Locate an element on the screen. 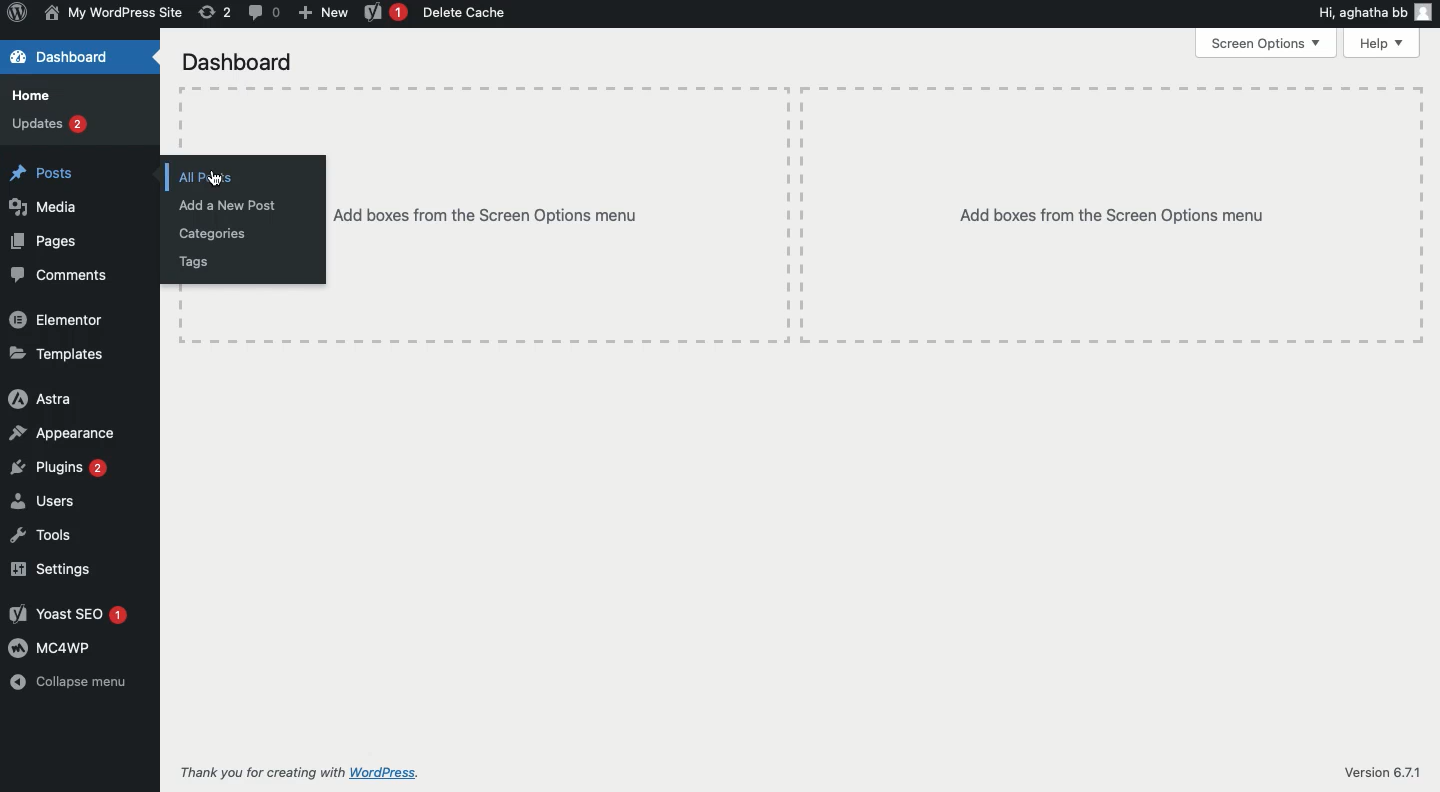 This screenshot has height=792, width=1440. Logo is located at coordinates (18, 14).